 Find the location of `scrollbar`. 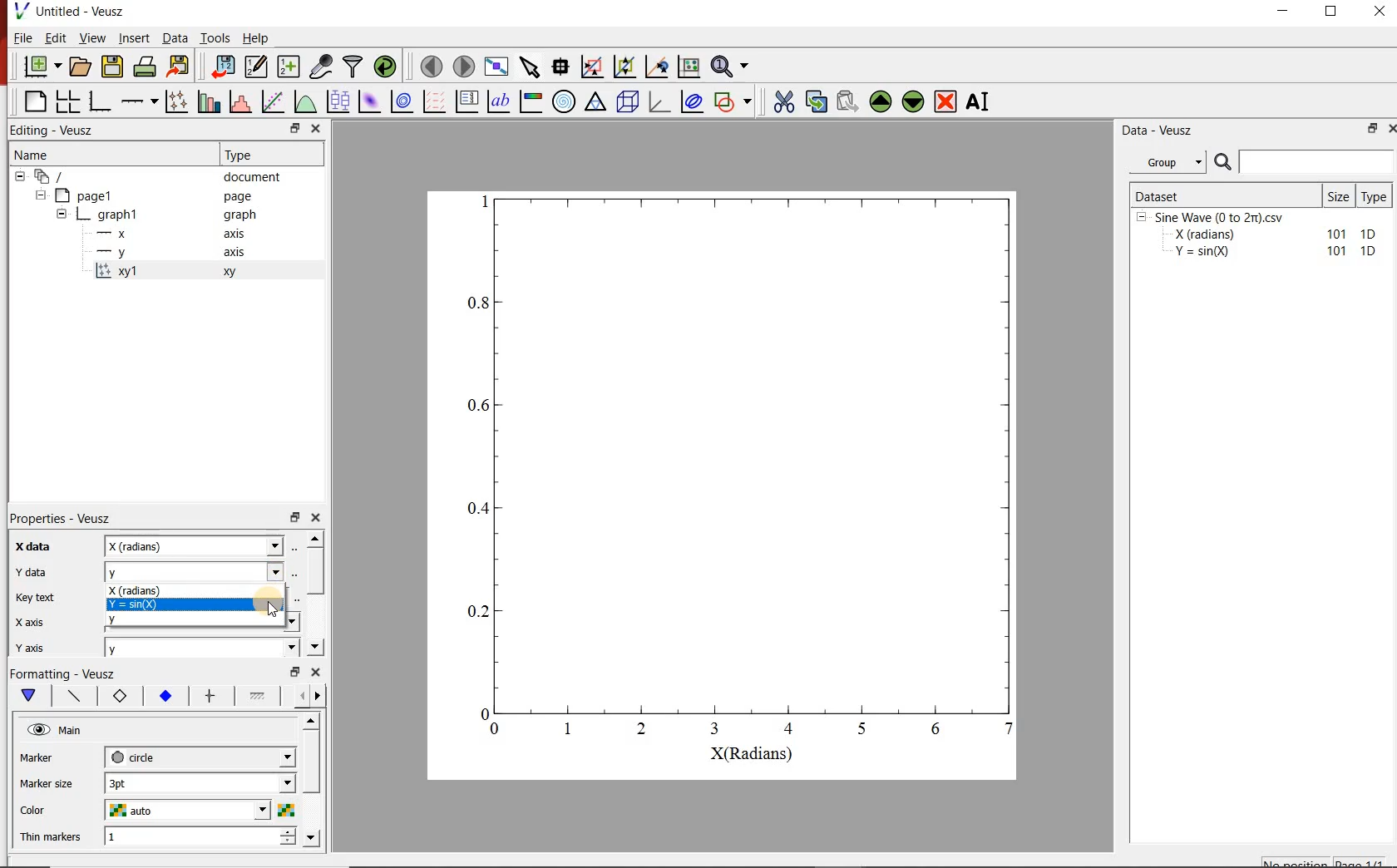

scrollbar is located at coordinates (315, 572).